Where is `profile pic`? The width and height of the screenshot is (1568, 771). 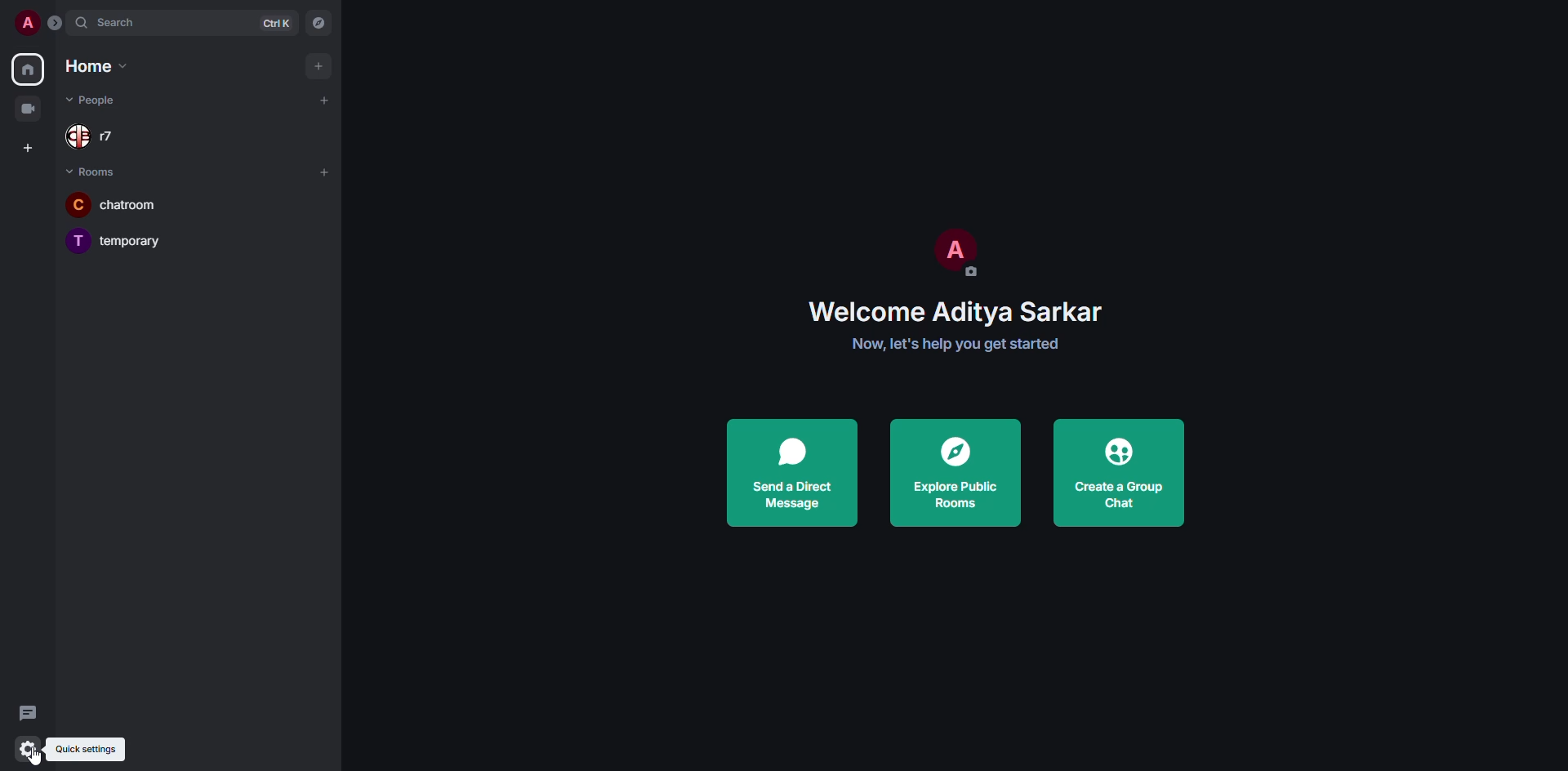 profile pic is located at coordinates (953, 251).